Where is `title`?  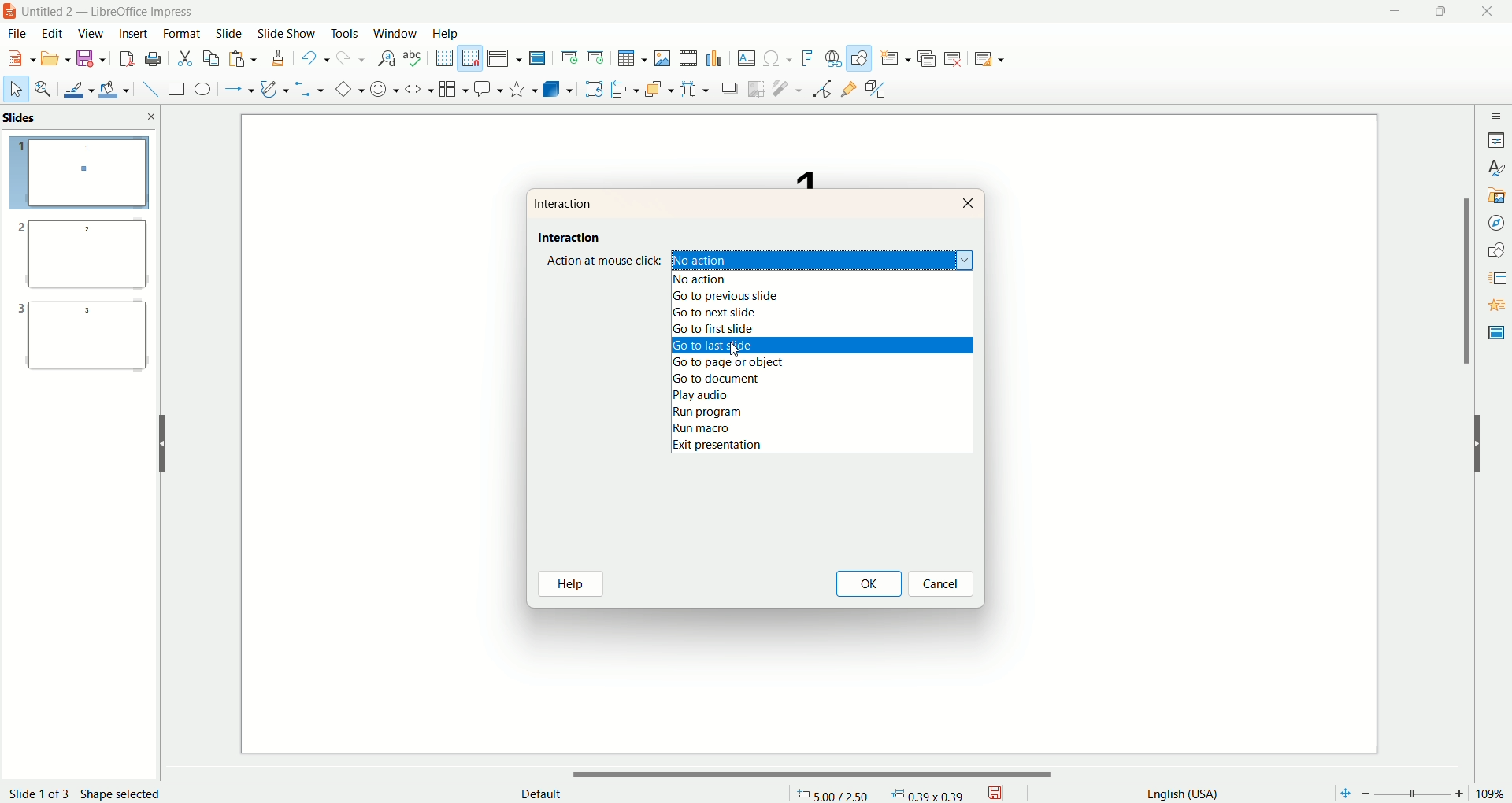 title is located at coordinates (116, 12).